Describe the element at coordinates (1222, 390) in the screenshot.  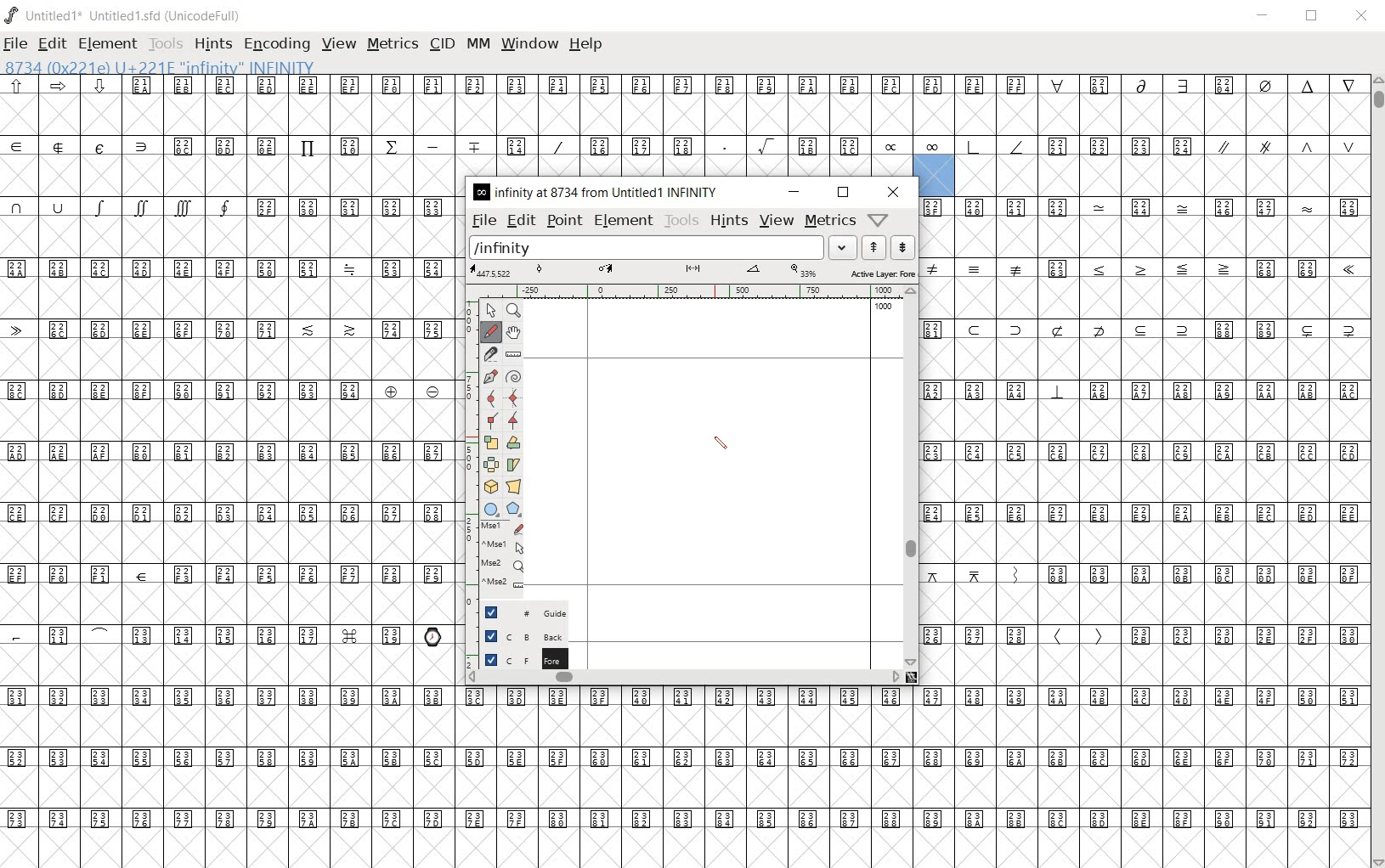
I see `Unicode code points` at that location.